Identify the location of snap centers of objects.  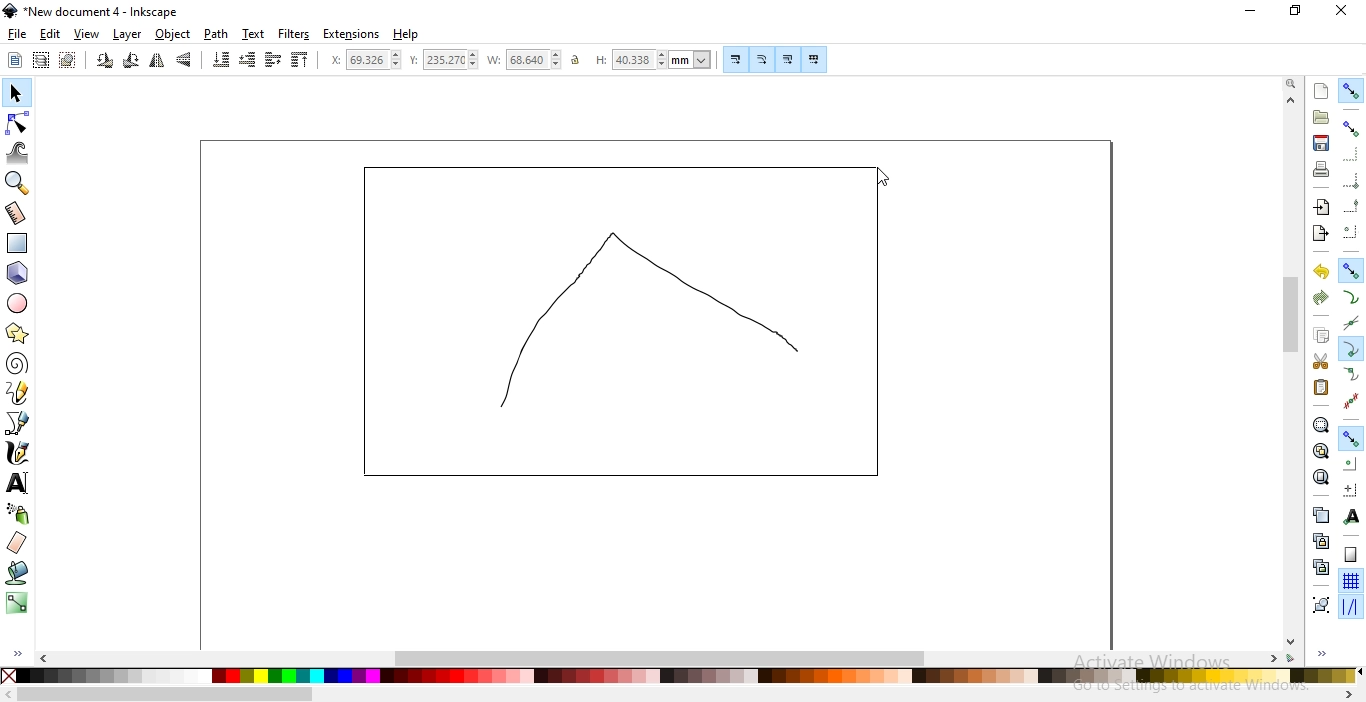
(1349, 462).